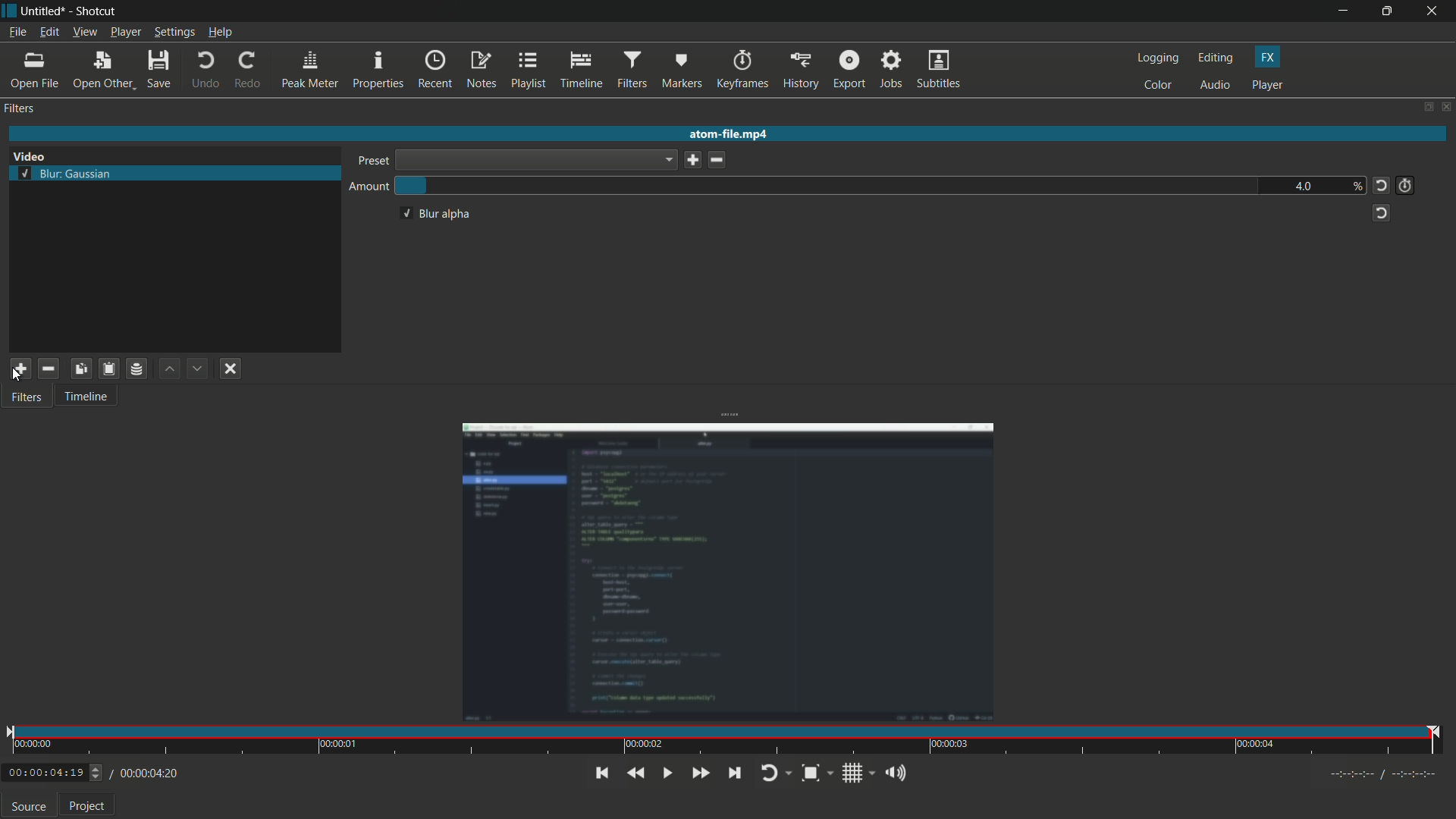 Image resolution: width=1456 pixels, height=819 pixels. What do you see at coordinates (17, 34) in the screenshot?
I see `file menu` at bounding box center [17, 34].